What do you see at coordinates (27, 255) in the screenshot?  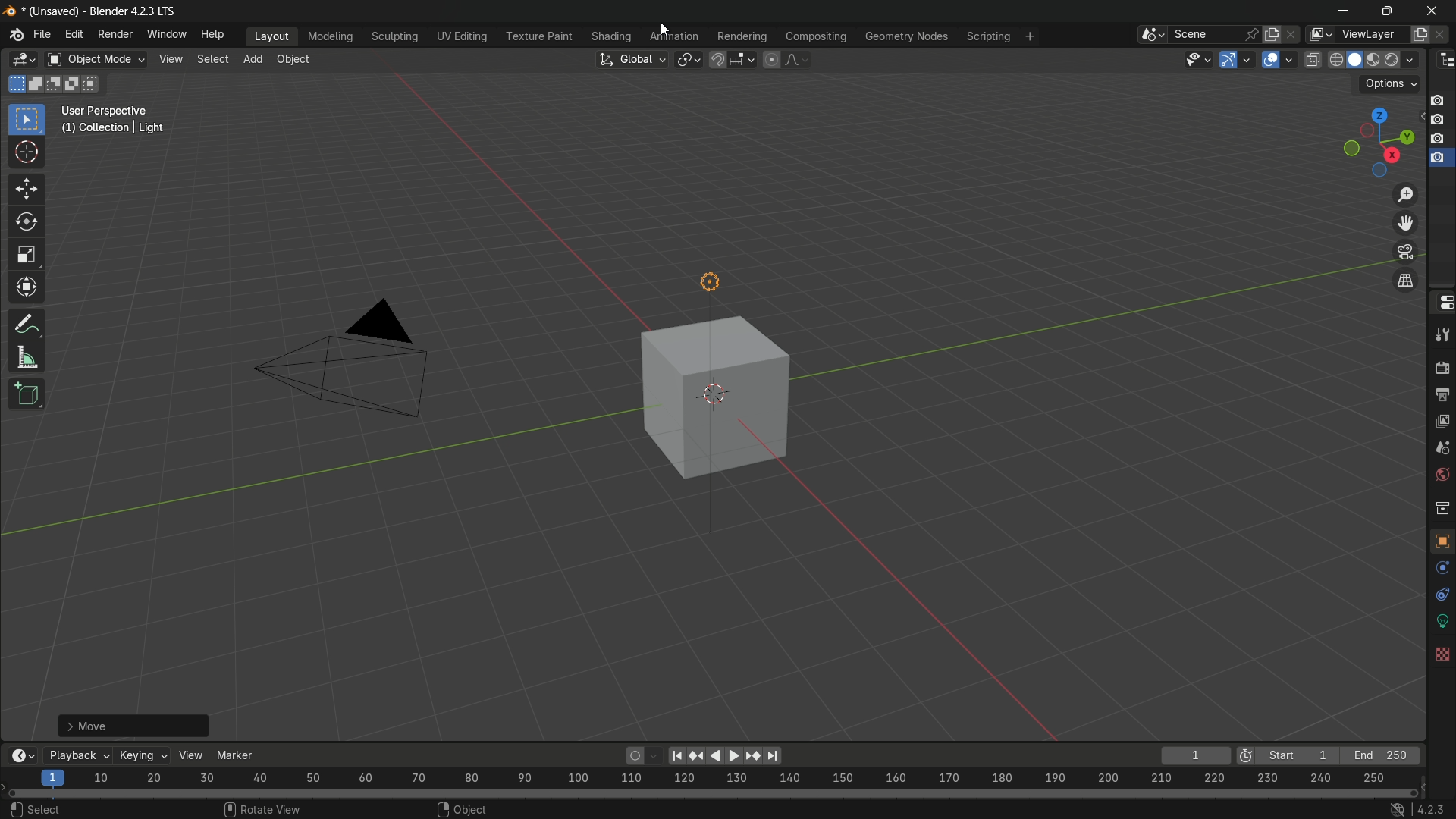 I see `scale` at bounding box center [27, 255].